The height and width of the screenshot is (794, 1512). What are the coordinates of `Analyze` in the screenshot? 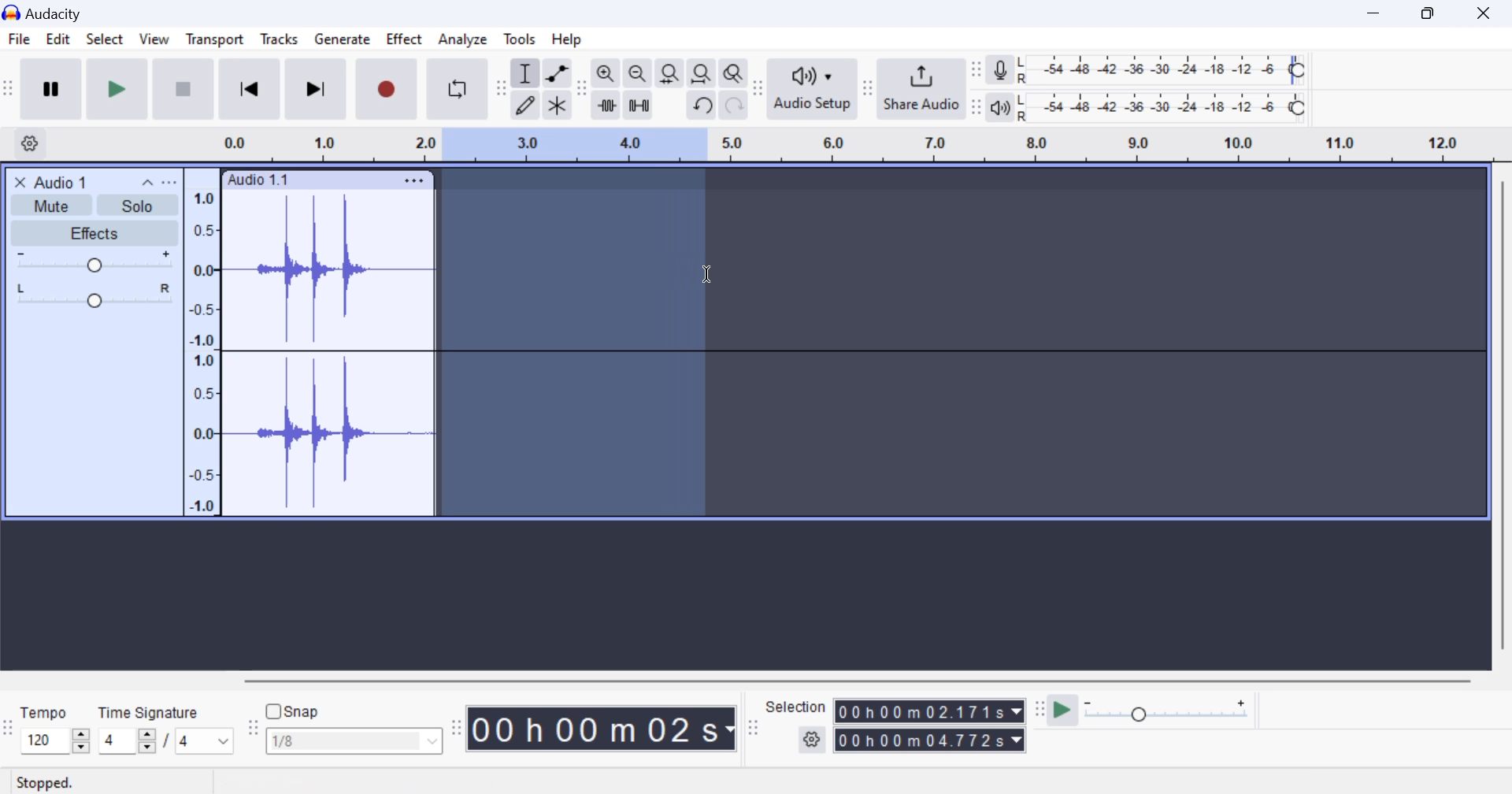 It's located at (463, 39).